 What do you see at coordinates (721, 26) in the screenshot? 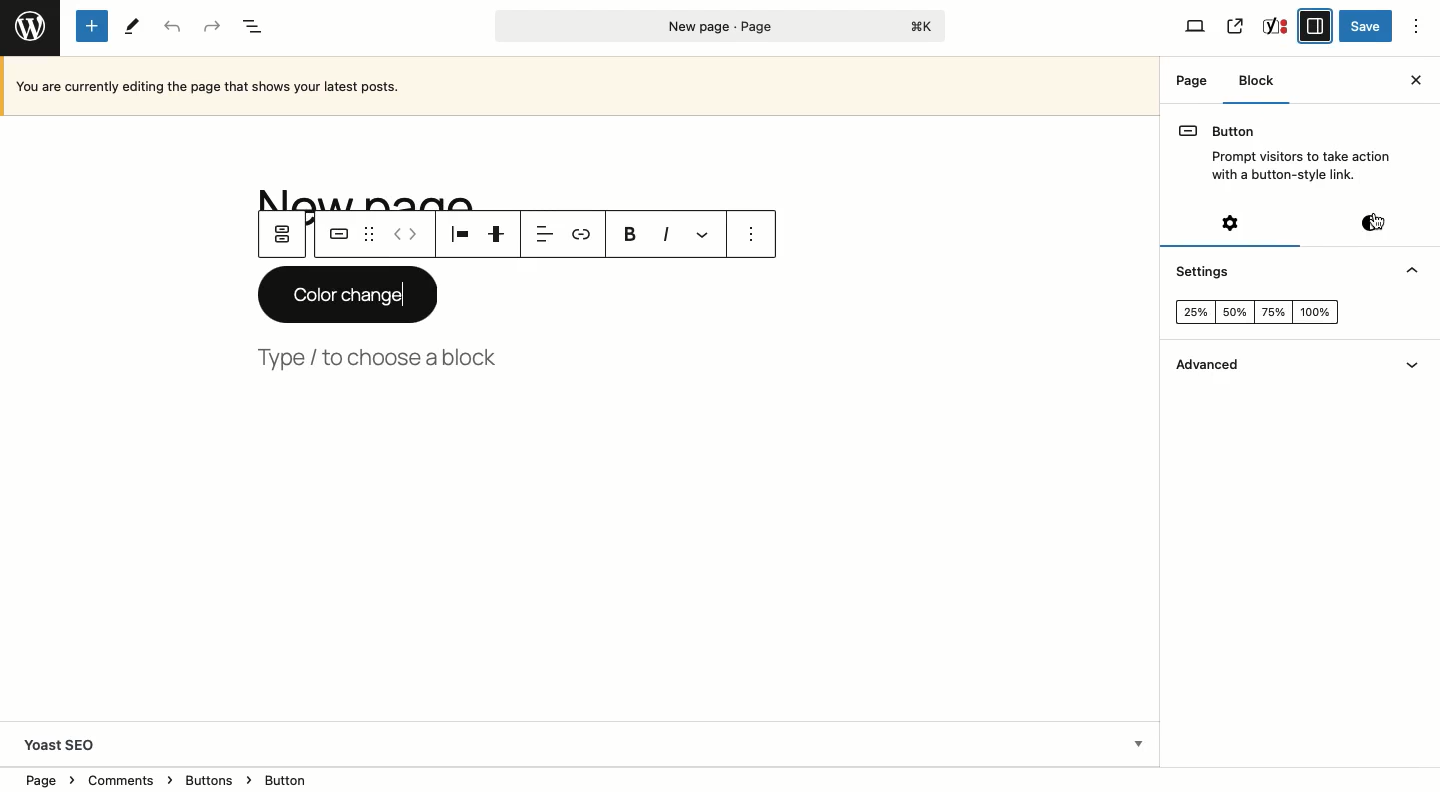
I see `Page` at bounding box center [721, 26].